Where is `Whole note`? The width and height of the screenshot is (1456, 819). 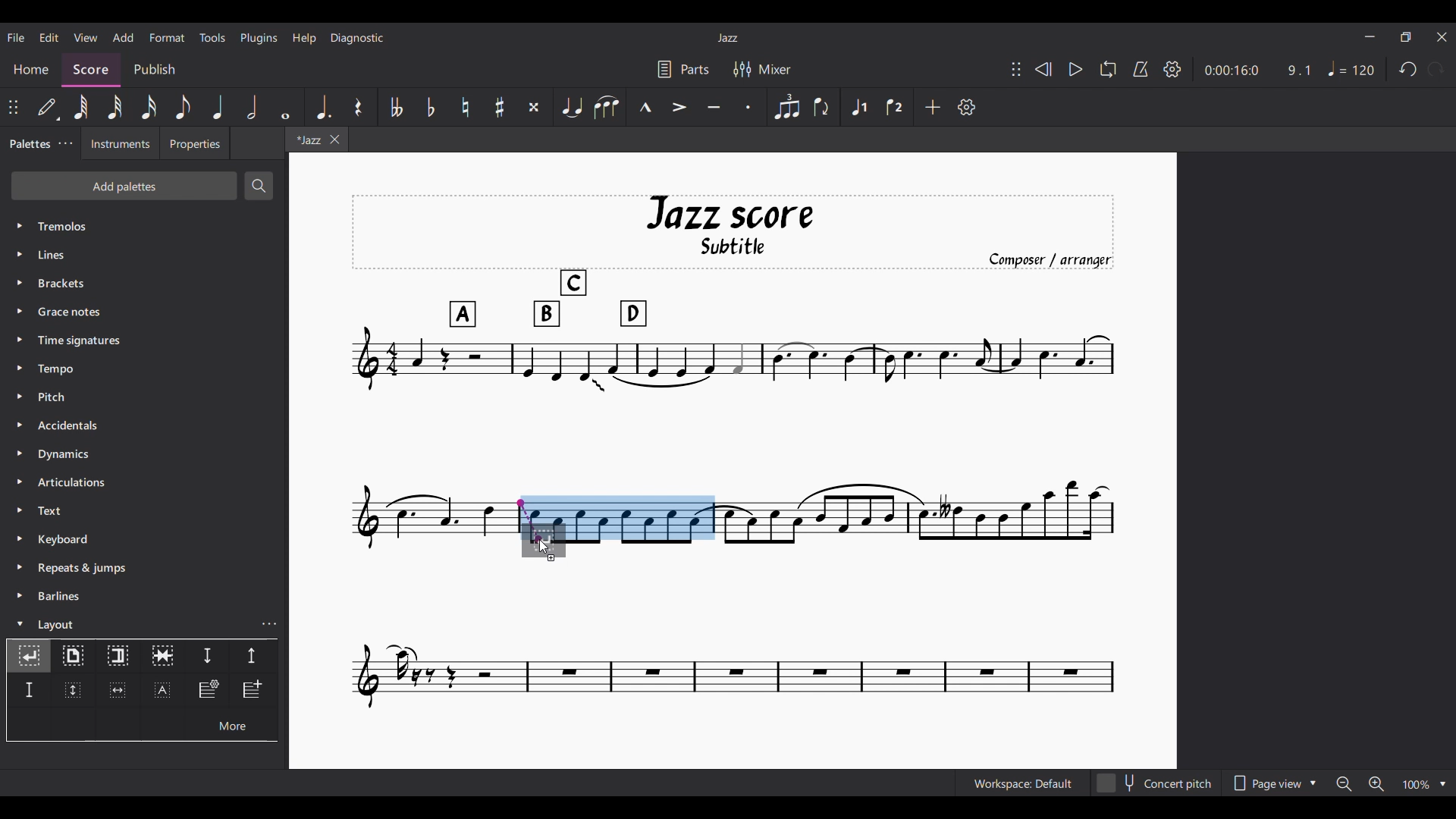 Whole note is located at coordinates (286, 107).